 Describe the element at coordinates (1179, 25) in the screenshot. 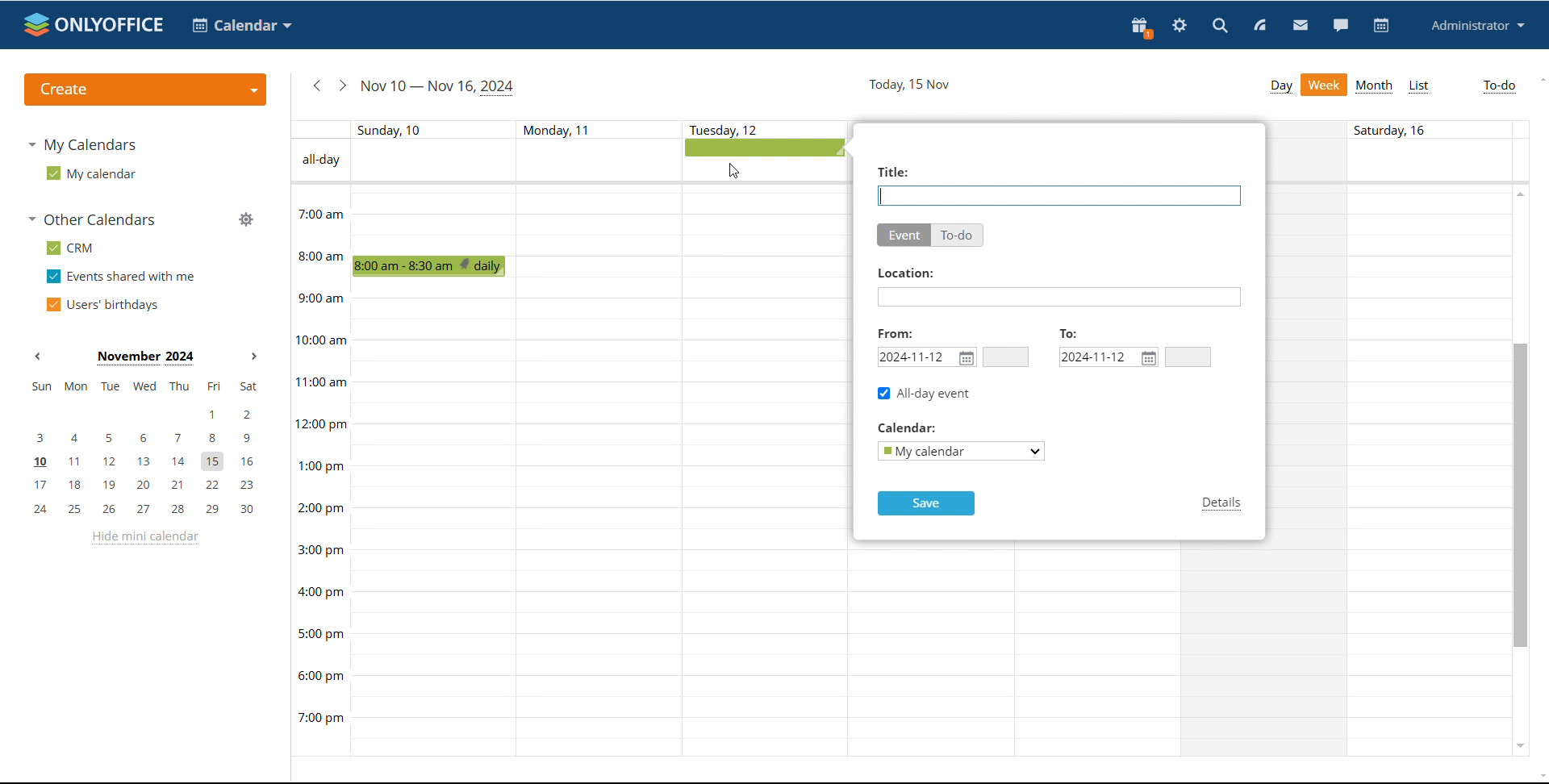

I see `settings` at that location.